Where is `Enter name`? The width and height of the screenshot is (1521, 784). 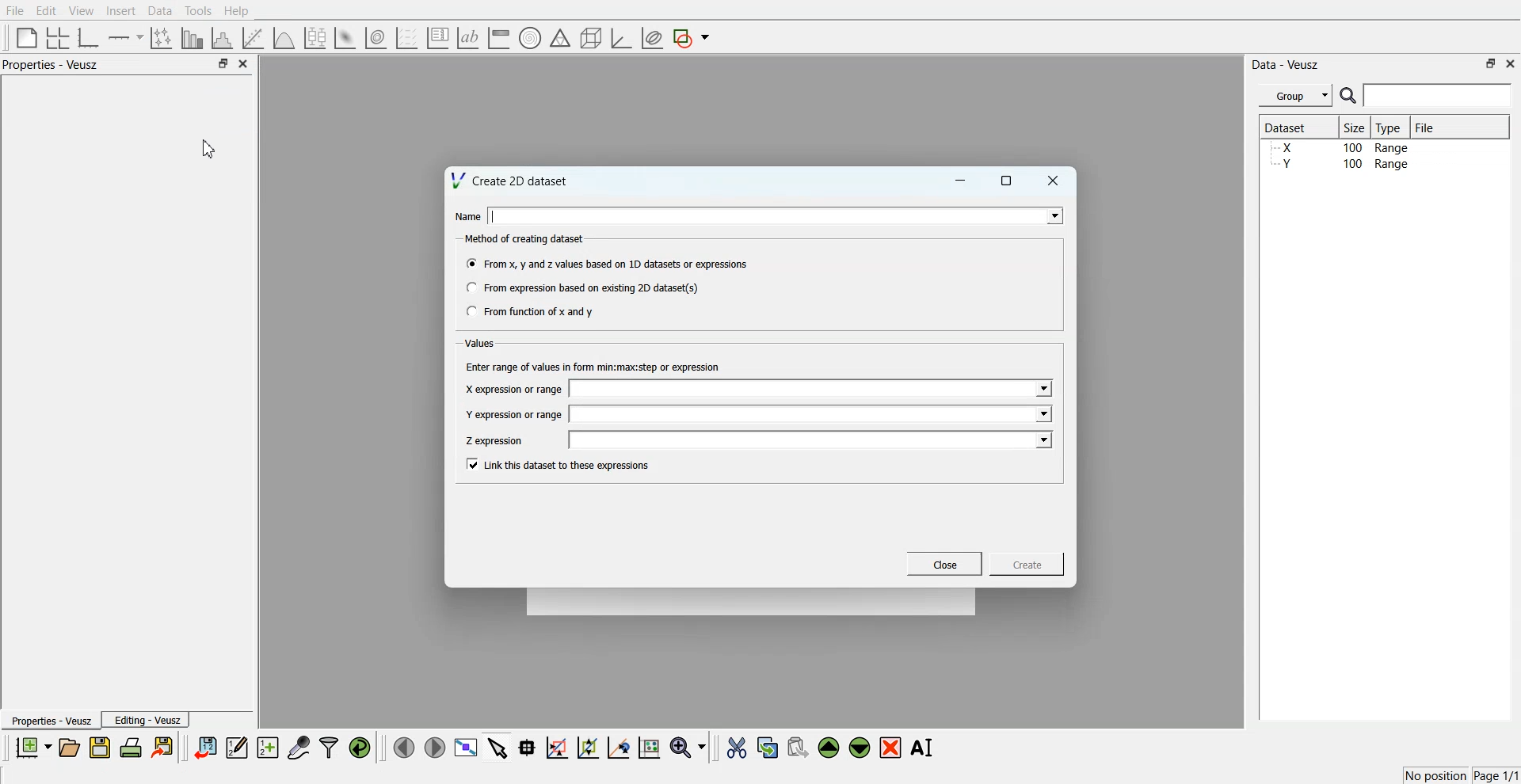
Enter name is located at coordinates (813, 390).